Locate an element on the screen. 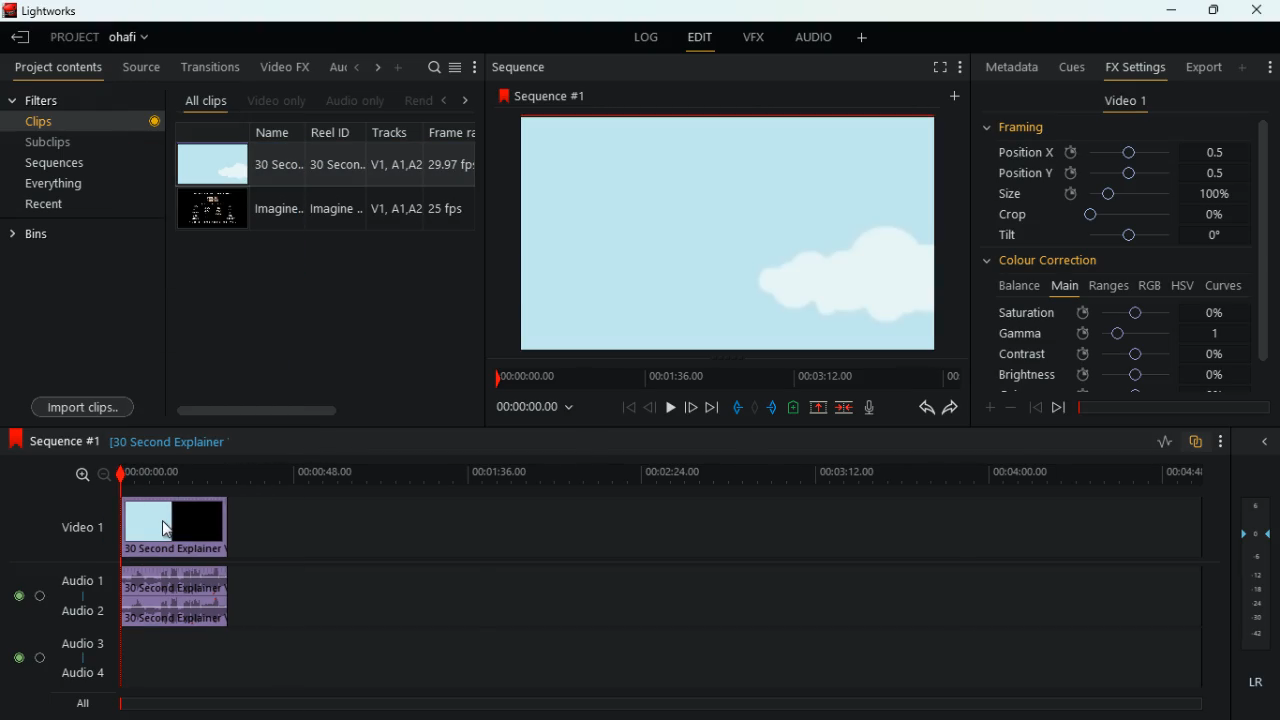  plus is located at coordinates (985, 406).